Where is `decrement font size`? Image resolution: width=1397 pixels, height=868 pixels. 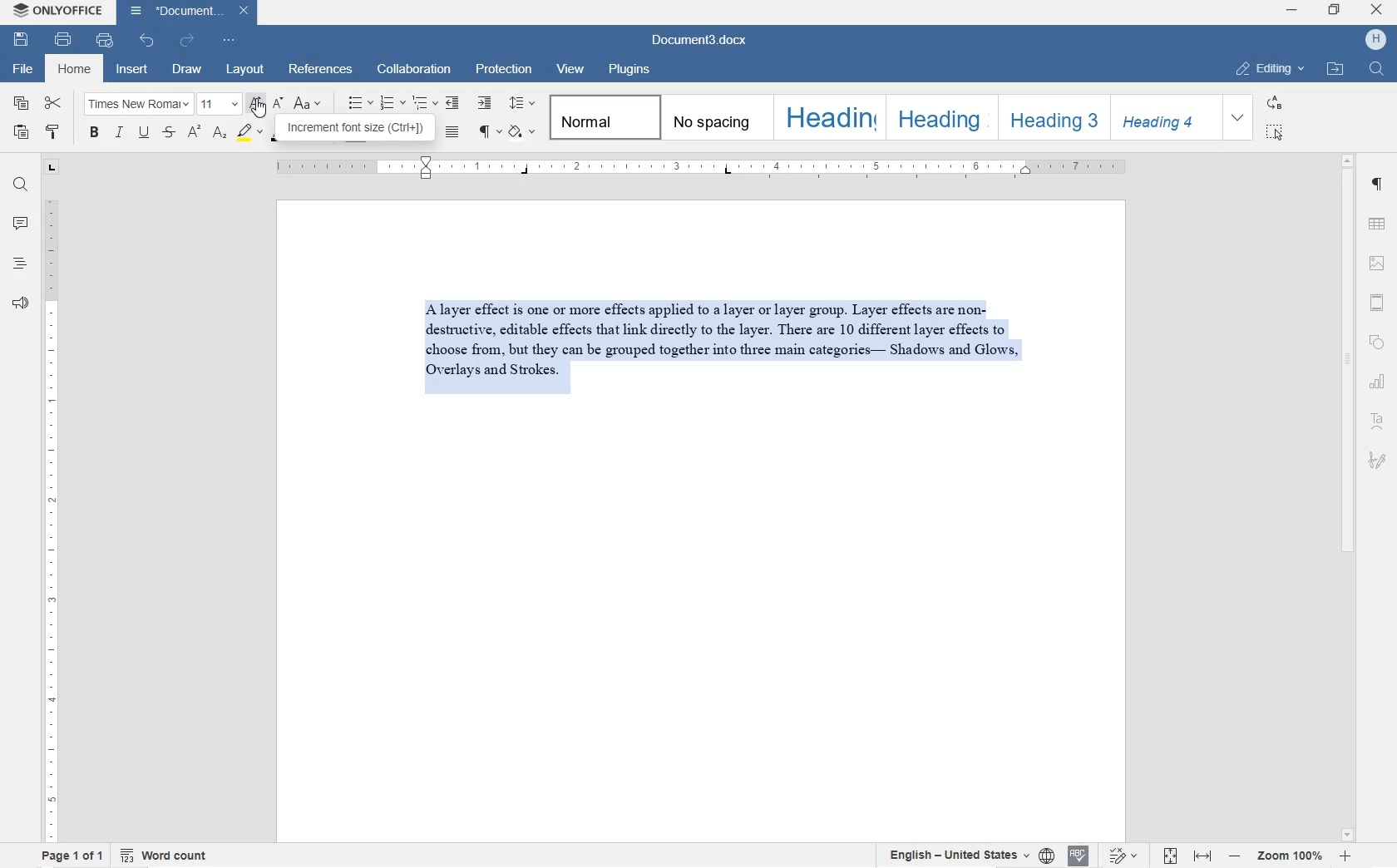 decrement font size is located at coordinates (279, 102).